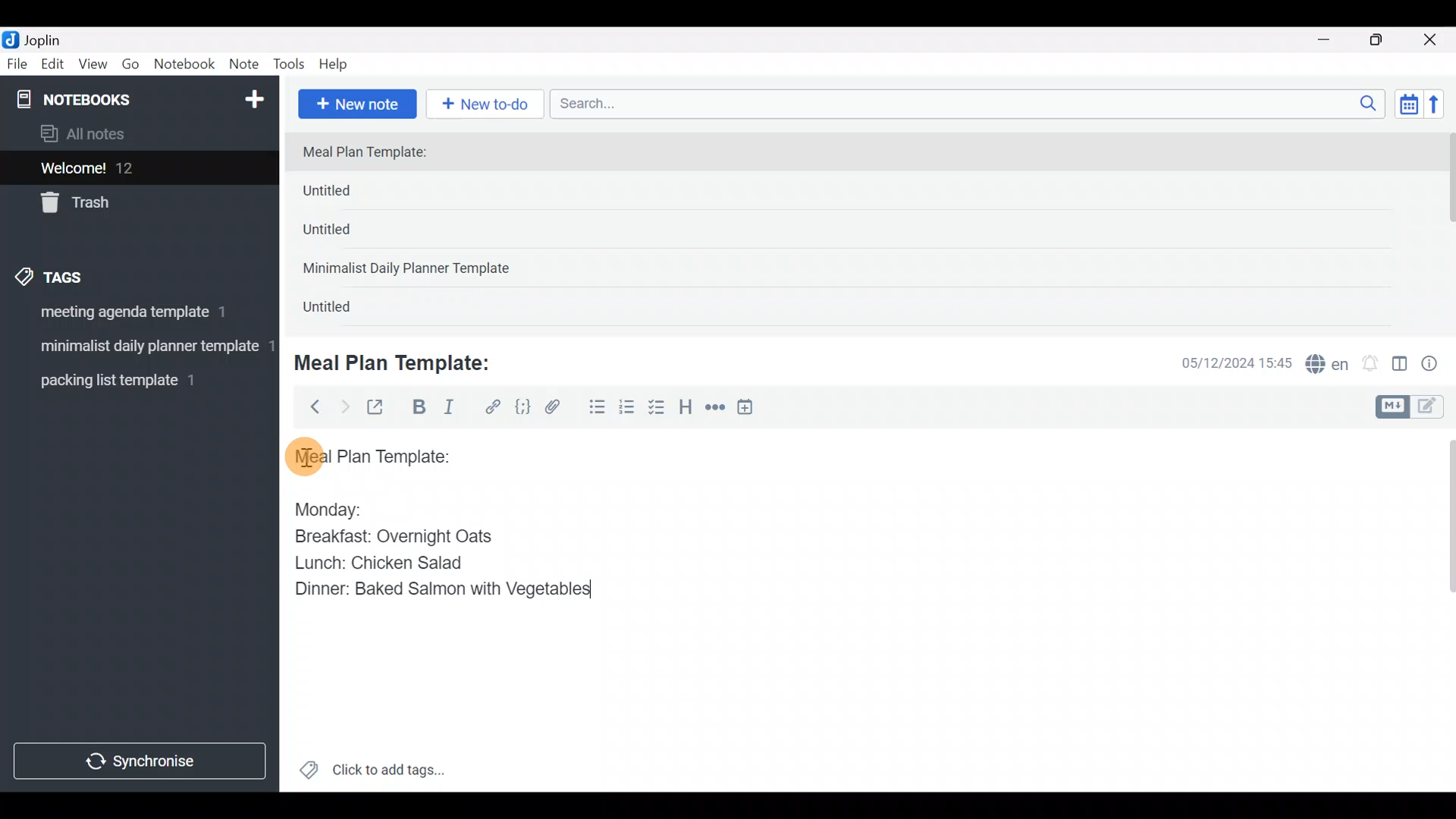 Image resolution: width=1456 pixels, height=819 pixels. I want to click on text Cursor, so click(607, 594).